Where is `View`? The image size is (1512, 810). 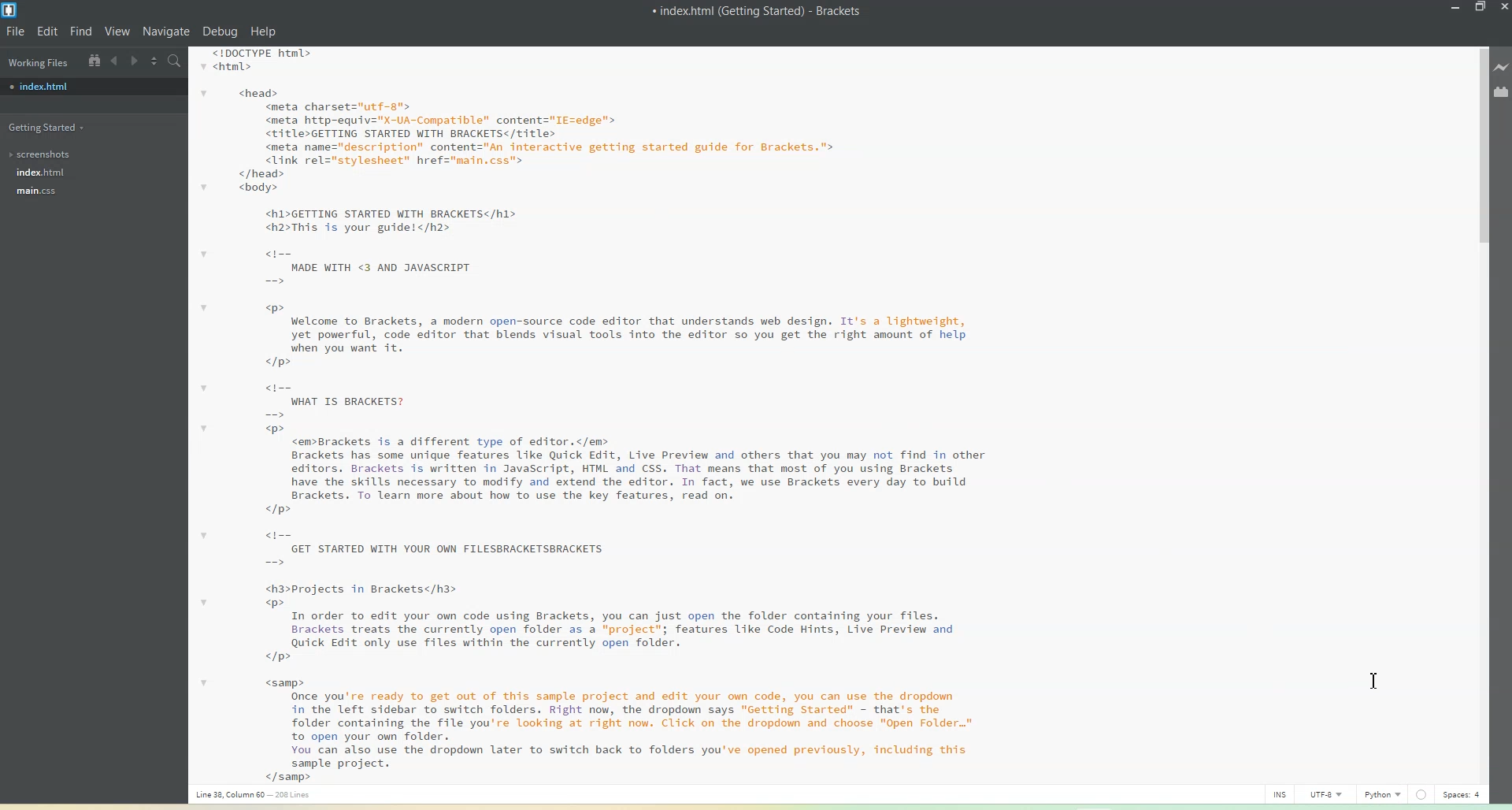
View is located at coordinates (119, 31).